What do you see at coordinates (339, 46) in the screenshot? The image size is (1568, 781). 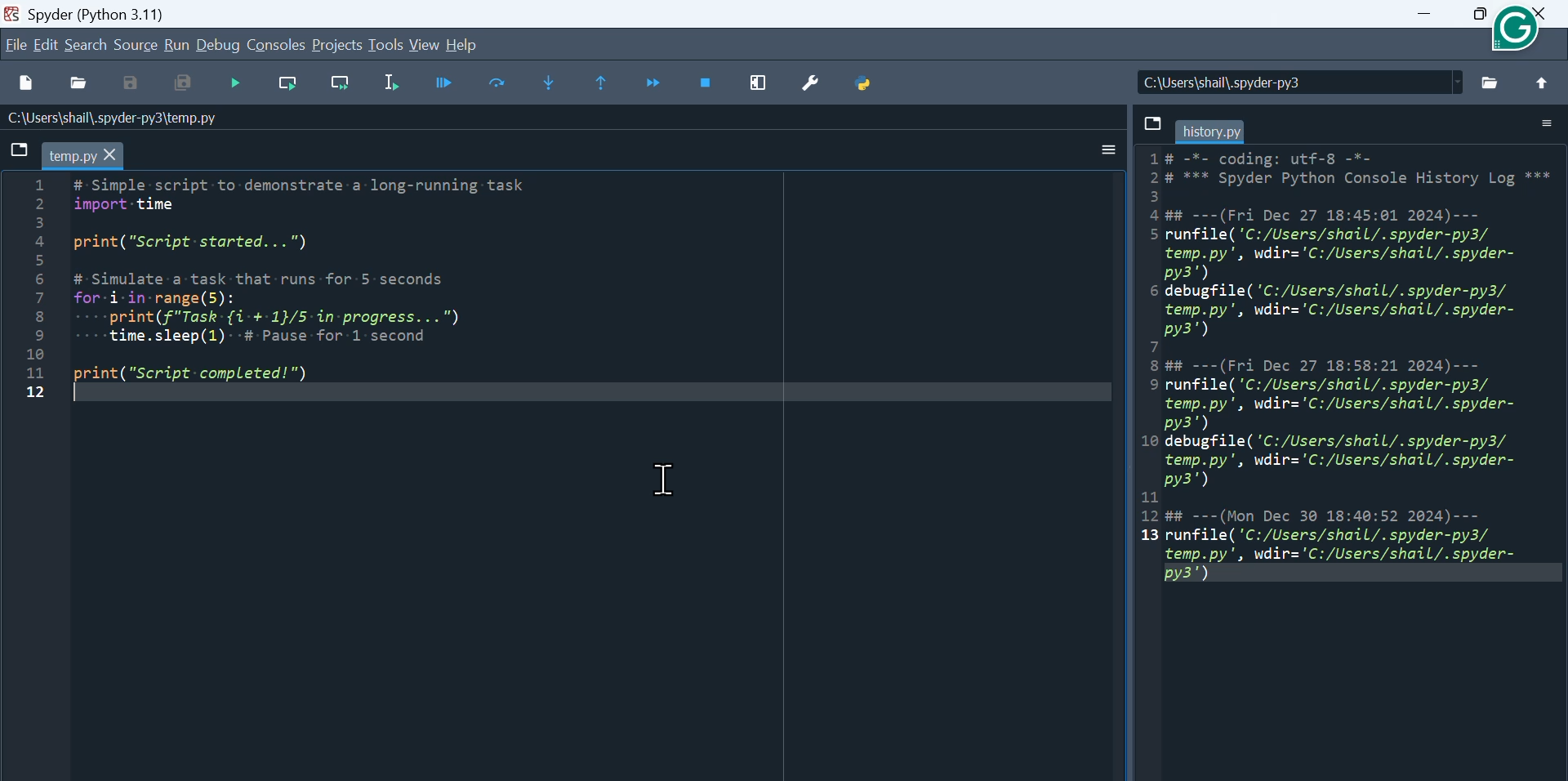 I see `Projects` at bounding box center [339, 46].